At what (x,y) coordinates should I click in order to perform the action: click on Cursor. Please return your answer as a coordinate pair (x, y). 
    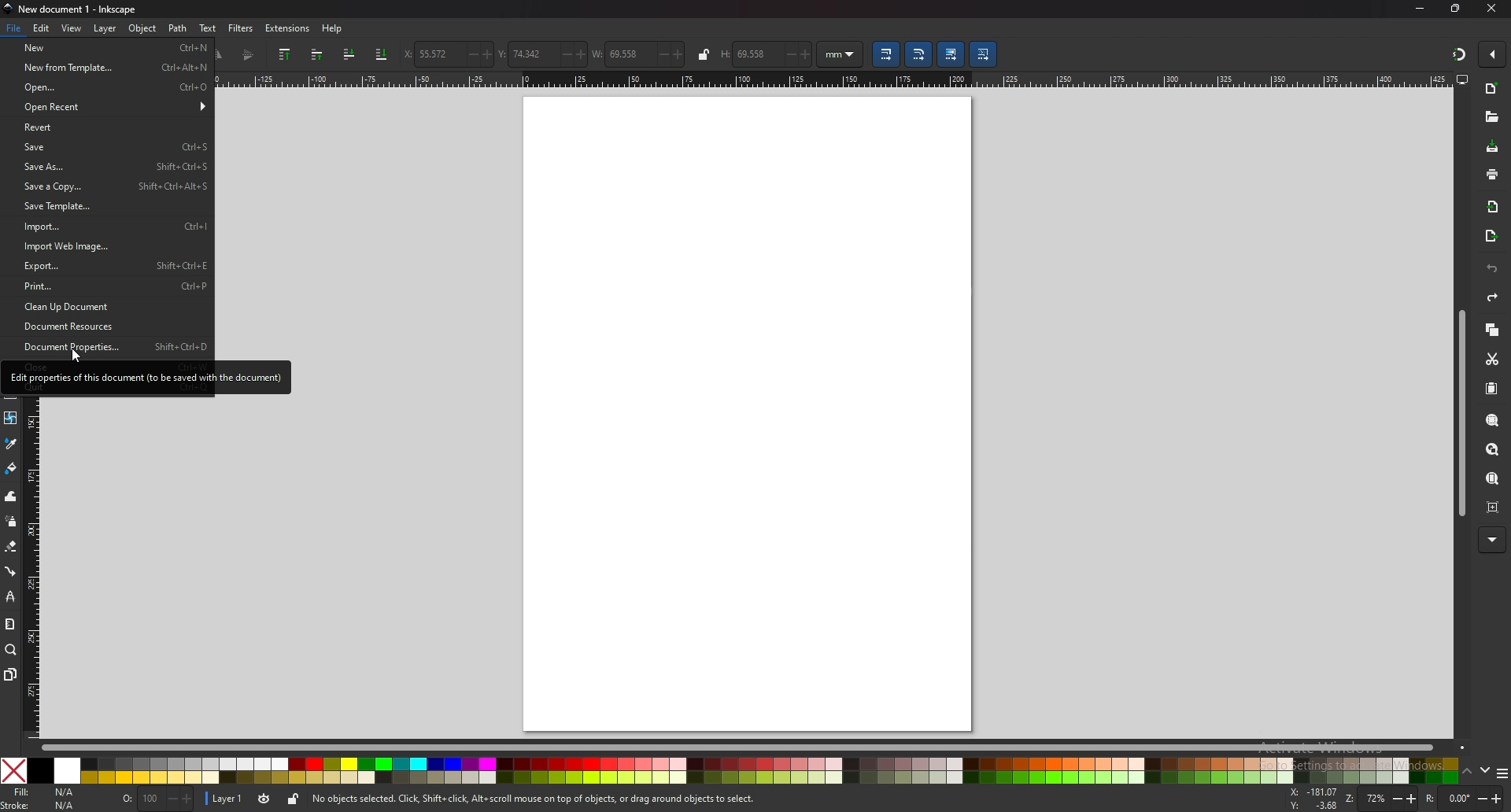
    Looking at the image, I should click on (77, 356).